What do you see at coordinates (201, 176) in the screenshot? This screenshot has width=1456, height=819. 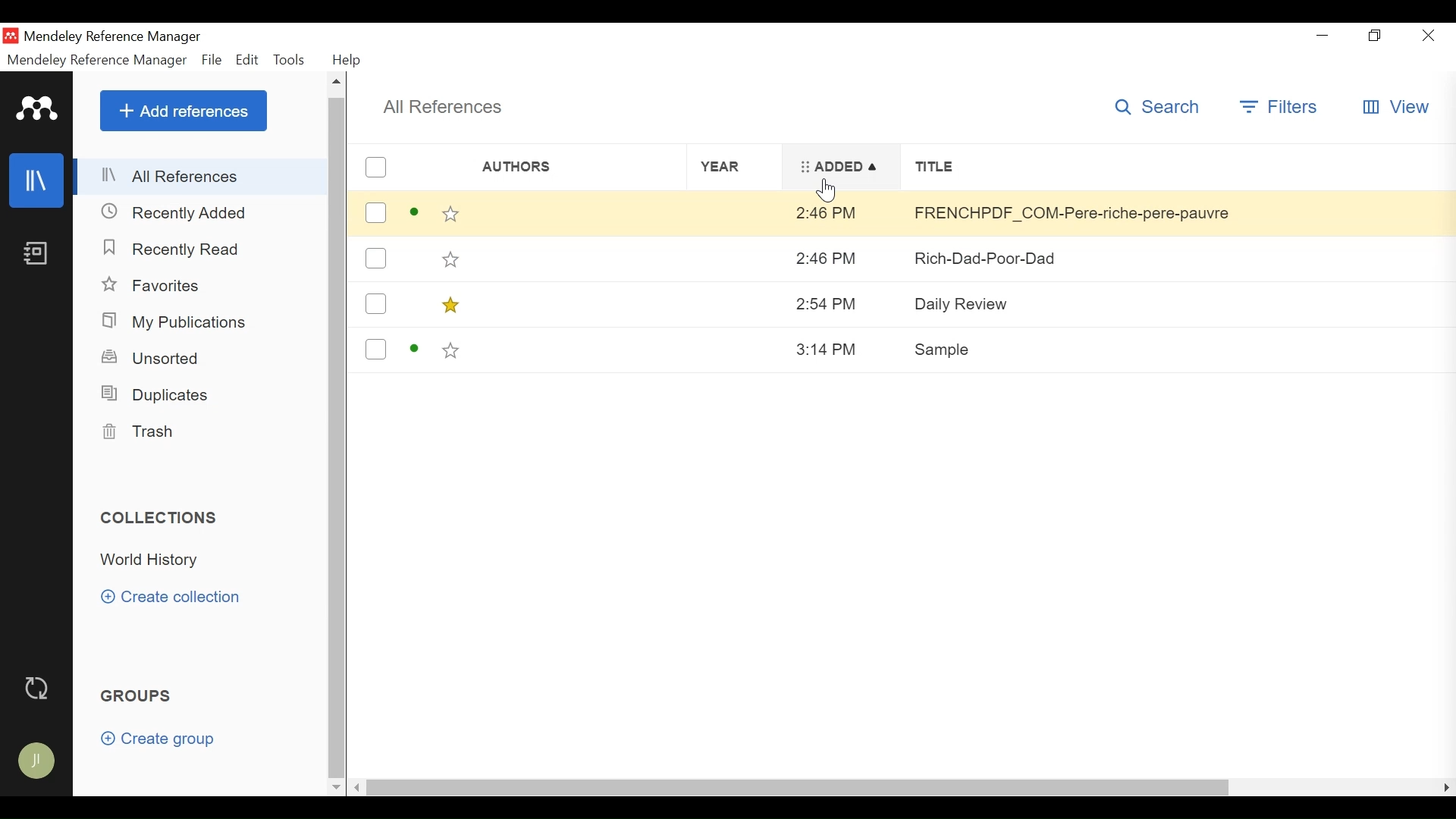 I see `All References` at bounding box center [201, 176].